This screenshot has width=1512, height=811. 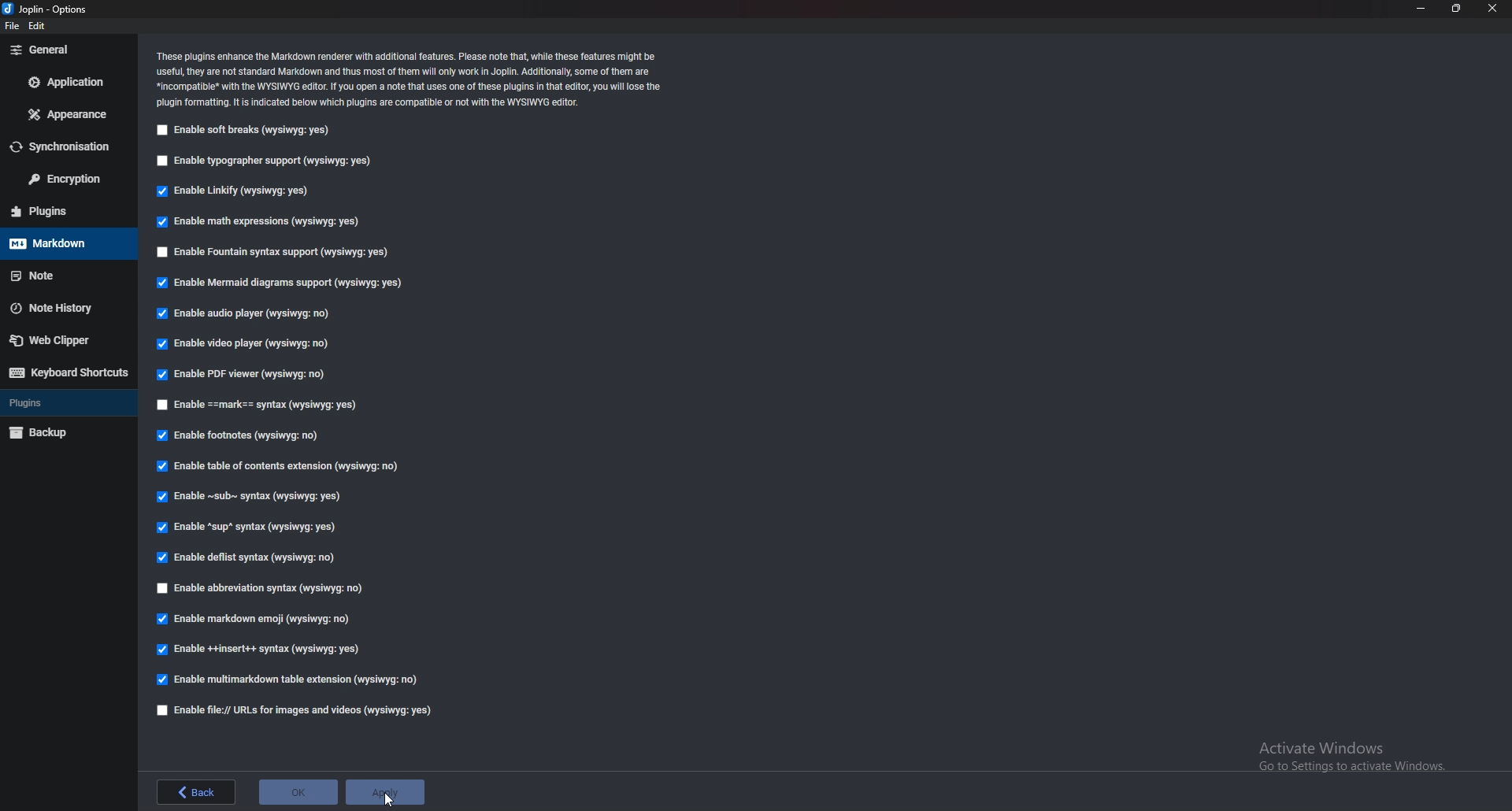 I want to click on enable multimark down table extension, so click(x=291, y=680).